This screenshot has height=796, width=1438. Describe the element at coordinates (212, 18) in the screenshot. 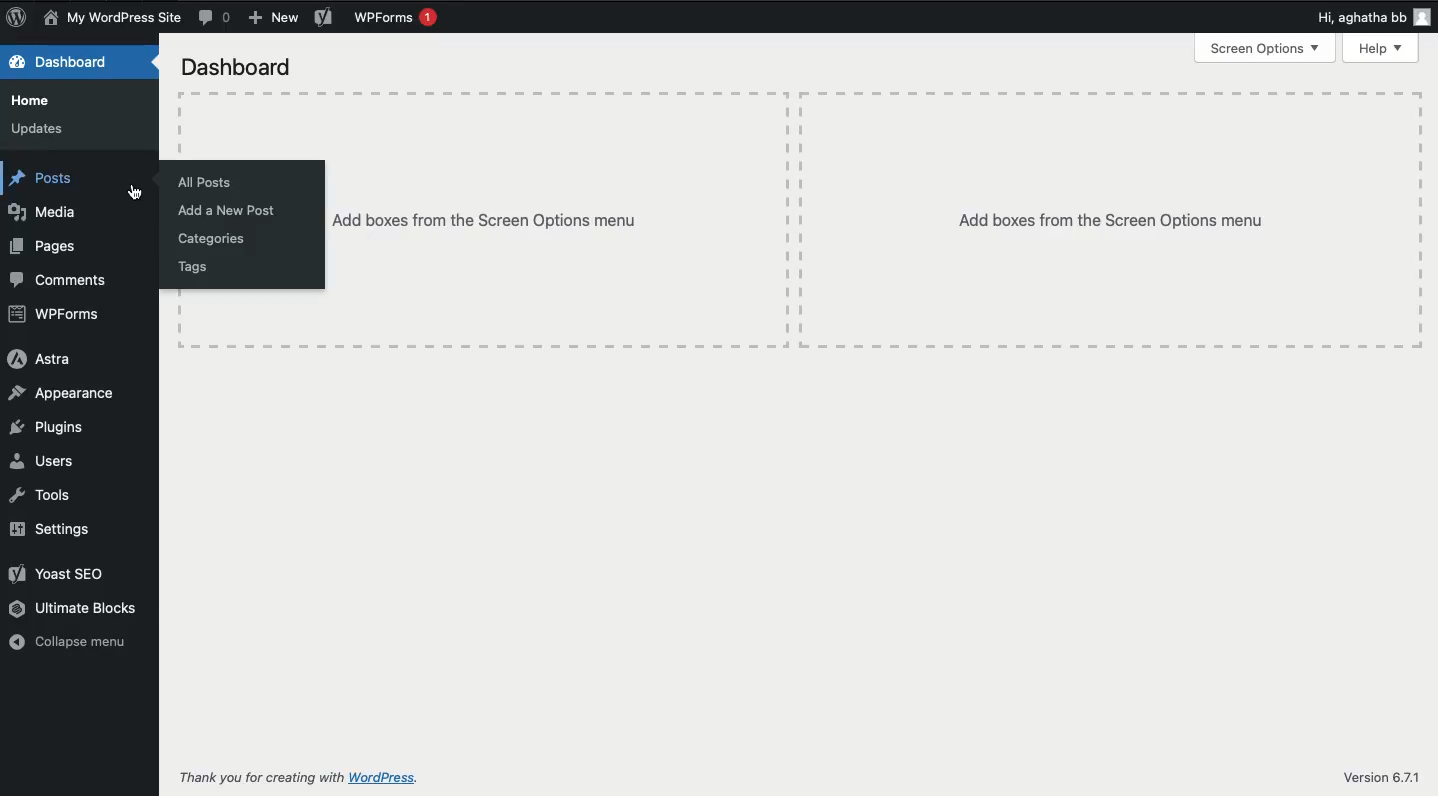

I see `Comment` at that location.